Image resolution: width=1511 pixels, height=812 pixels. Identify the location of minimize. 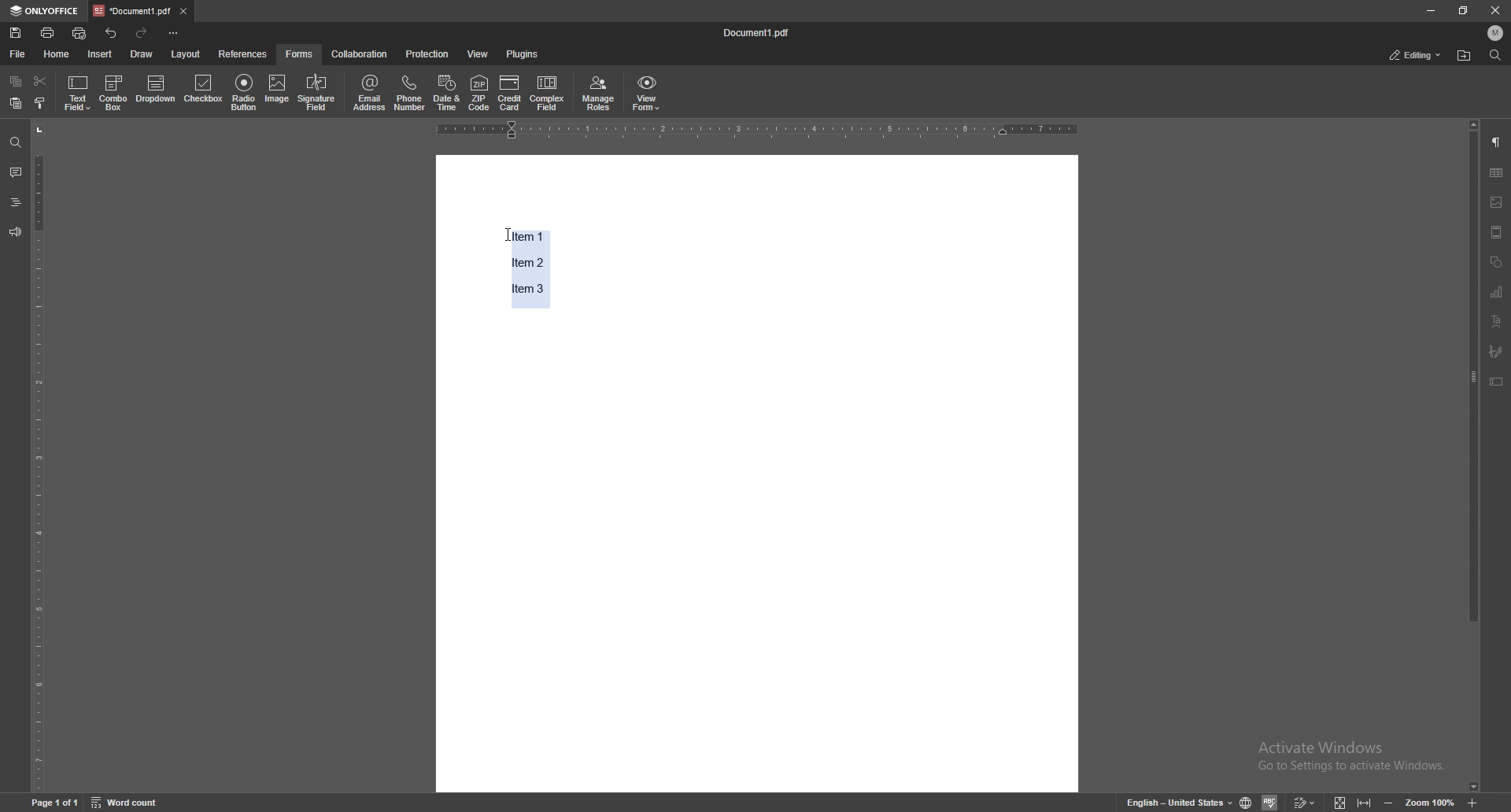
(1429, 11).